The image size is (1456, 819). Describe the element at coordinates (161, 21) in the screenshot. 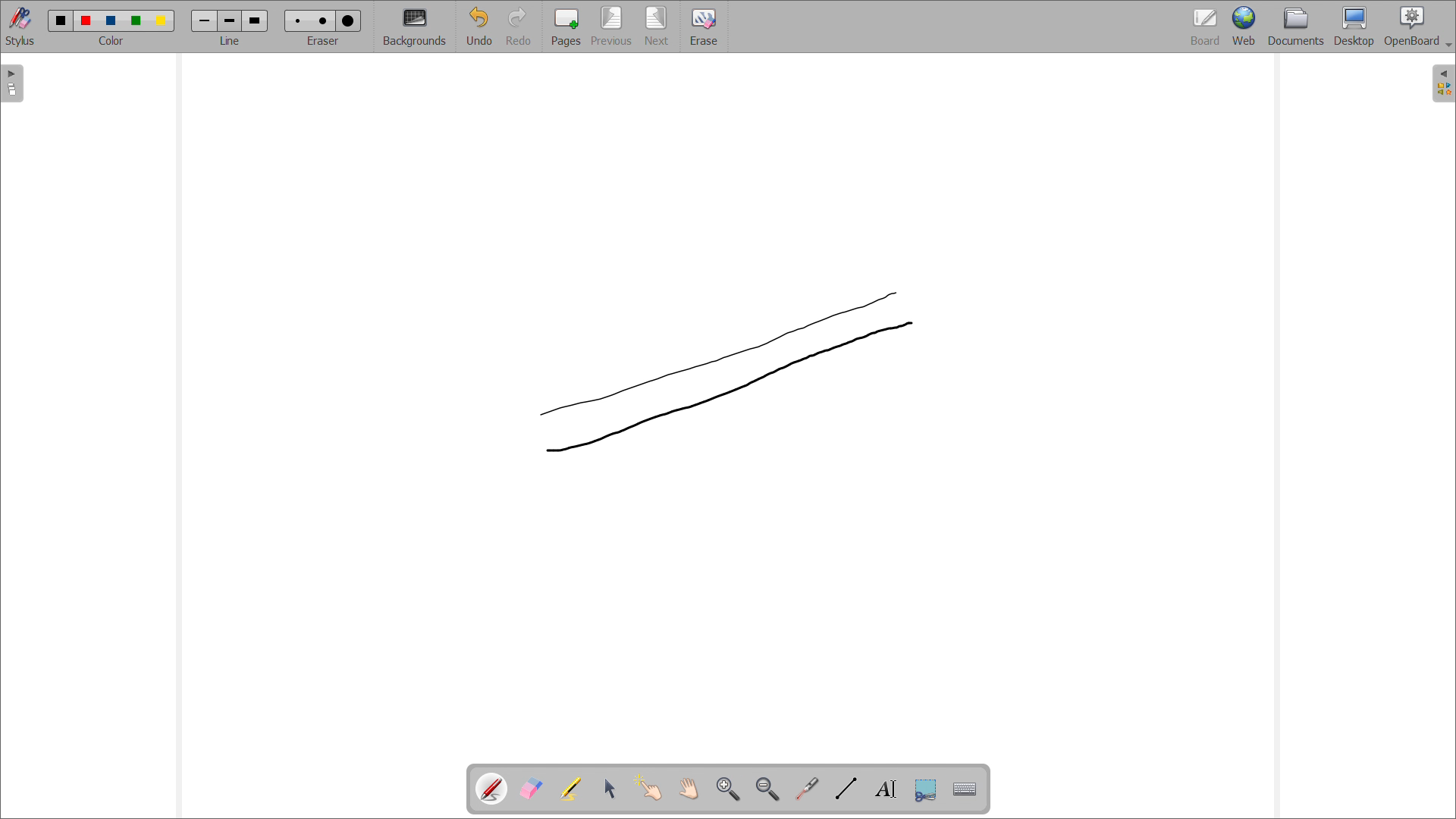

I see `color` at that location.